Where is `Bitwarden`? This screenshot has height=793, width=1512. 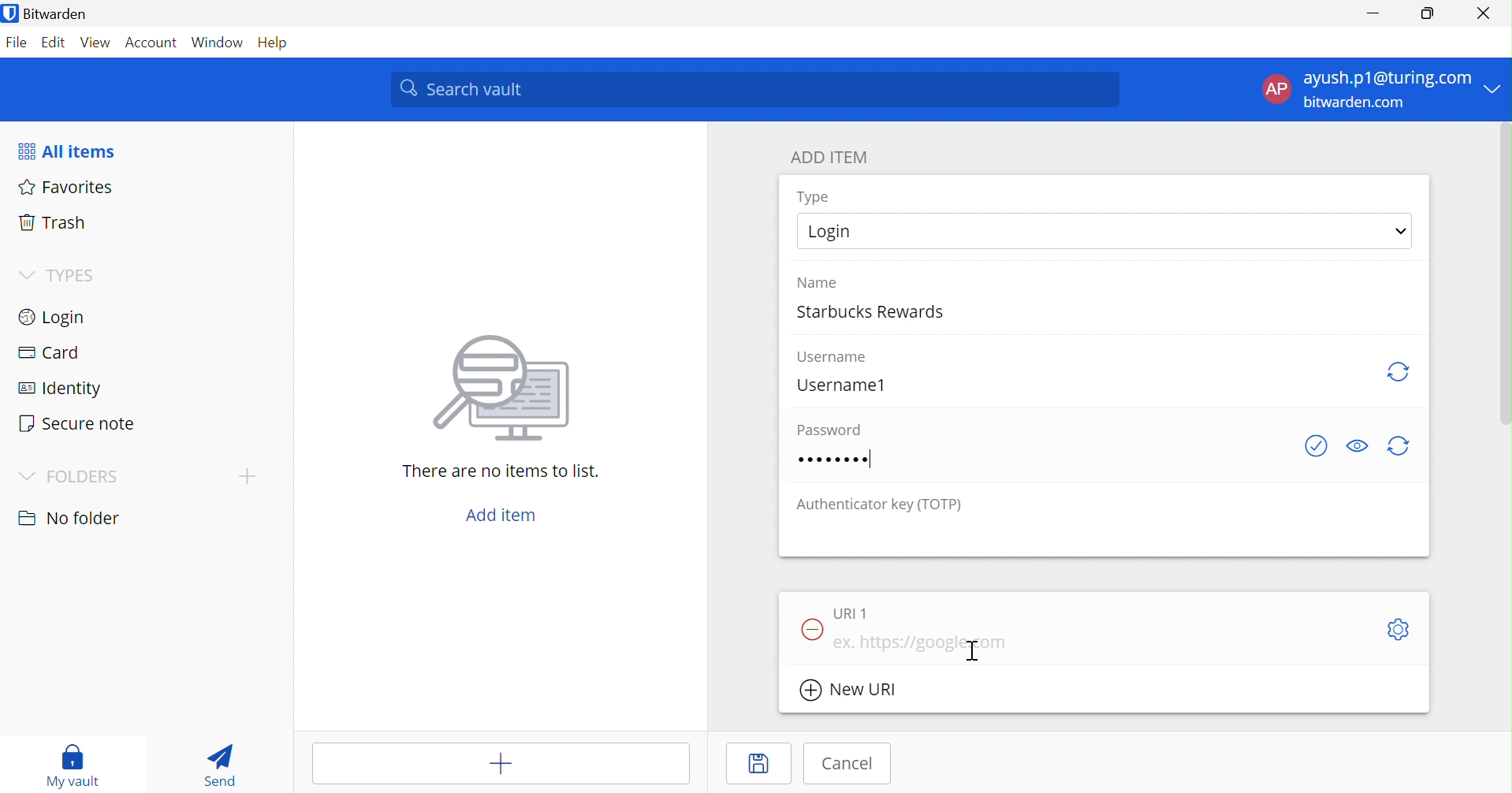 Bitwarden is located at coordinates (48, 13).